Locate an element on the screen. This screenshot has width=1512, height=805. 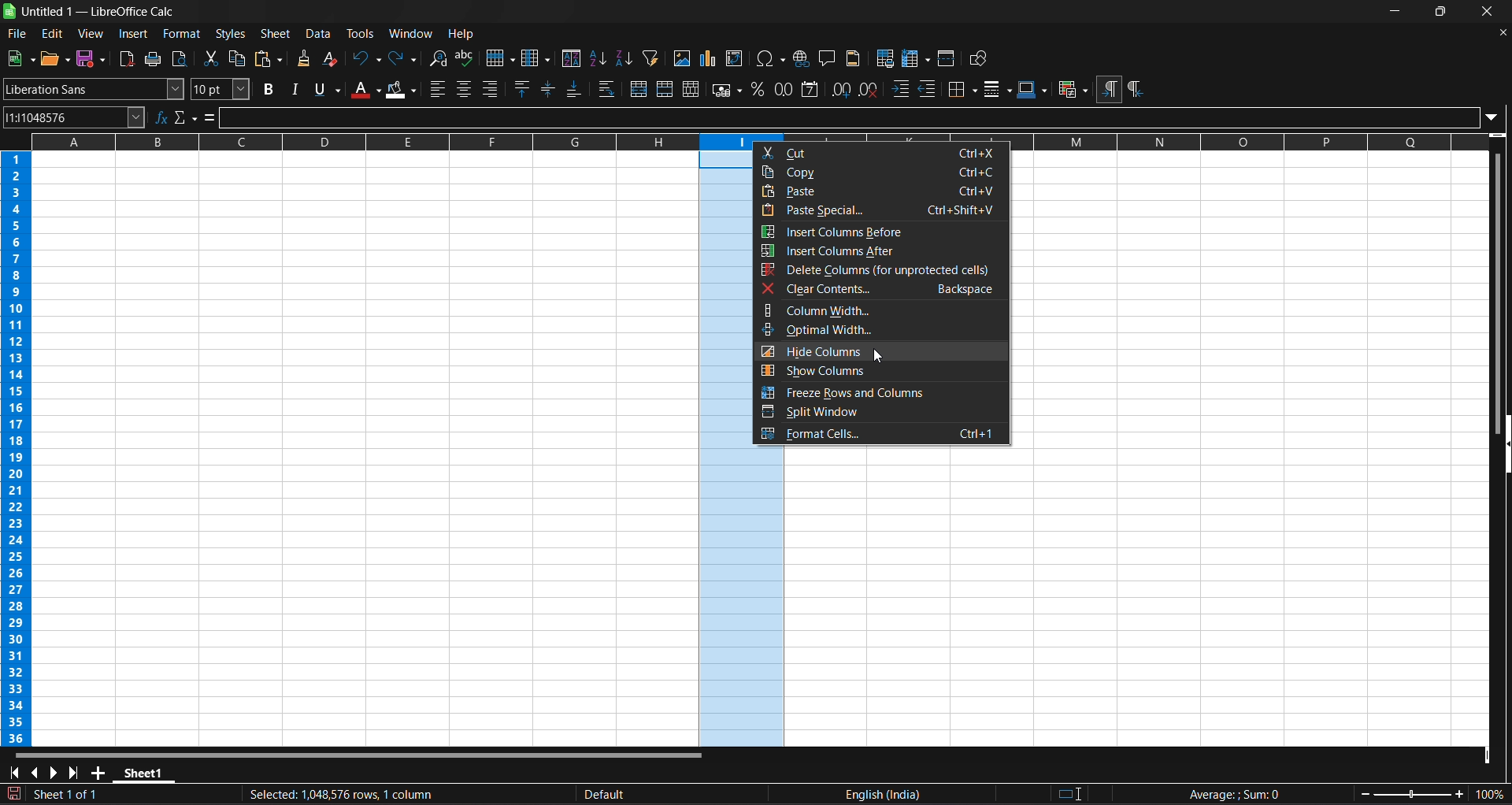
maximize is located at coordinates (1439, 13).